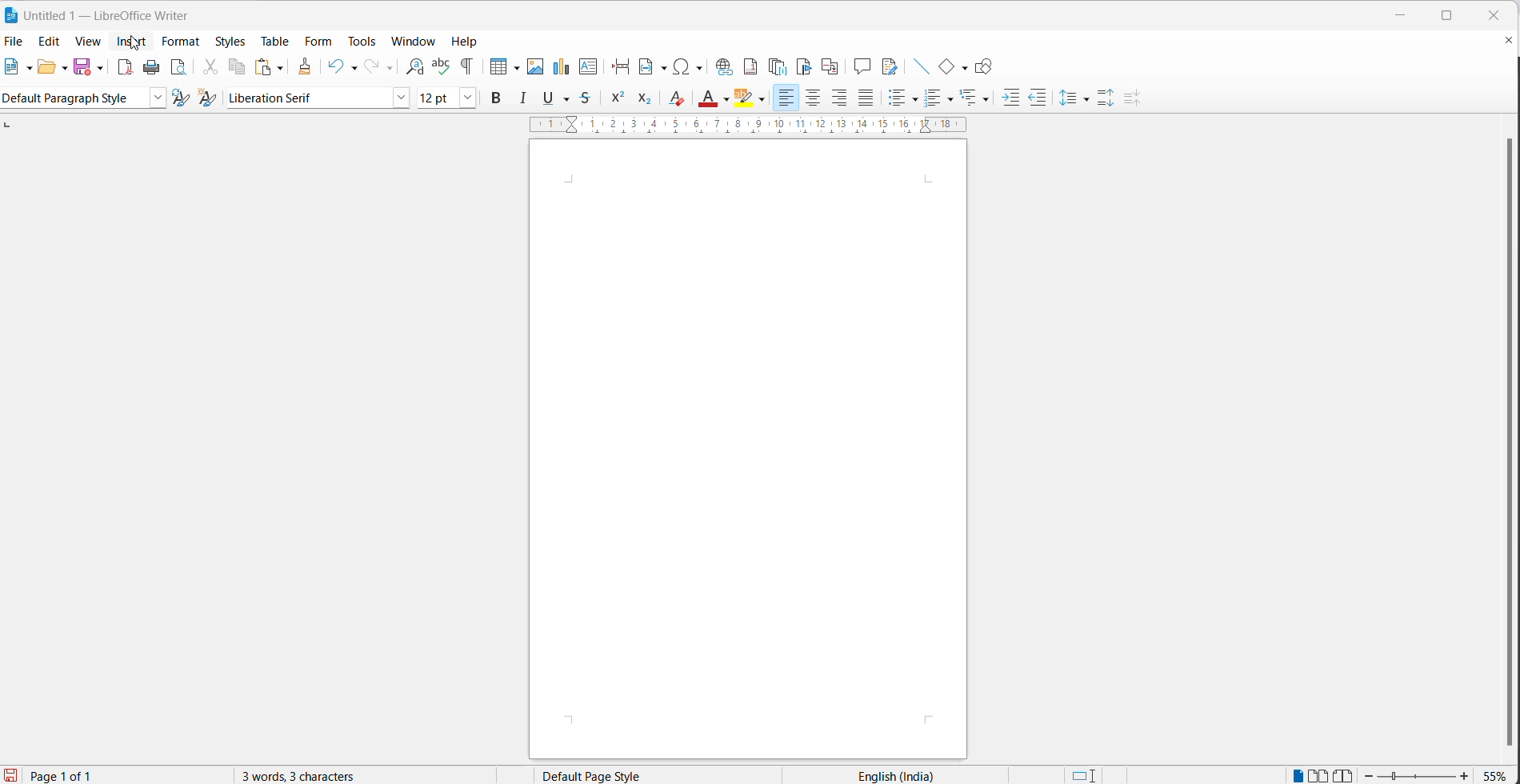  Describe the element at coordinates (1068, 94) in the screenshot. I see `line spacing` at that location.